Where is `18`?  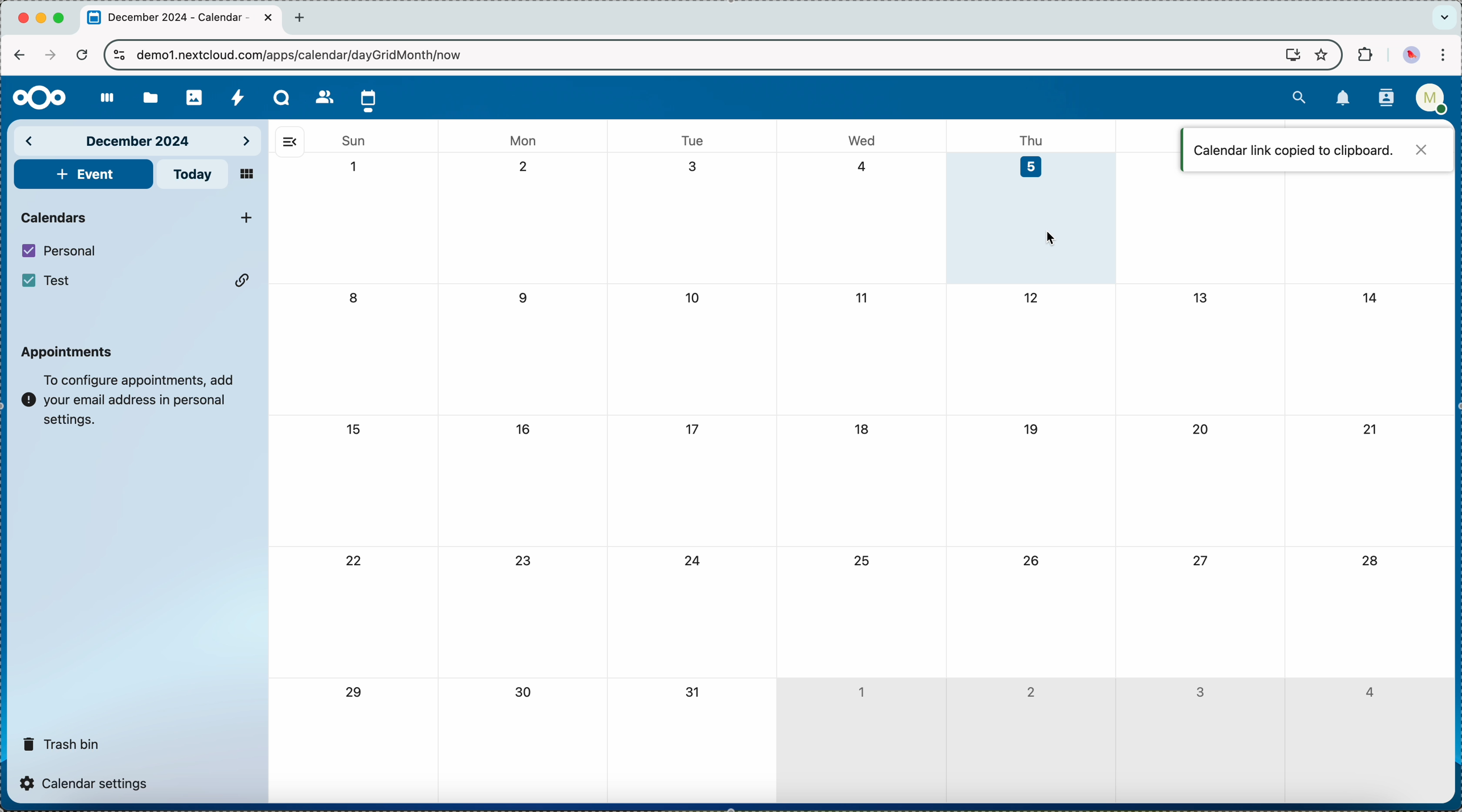 18 is located at coordinates (863, 429).